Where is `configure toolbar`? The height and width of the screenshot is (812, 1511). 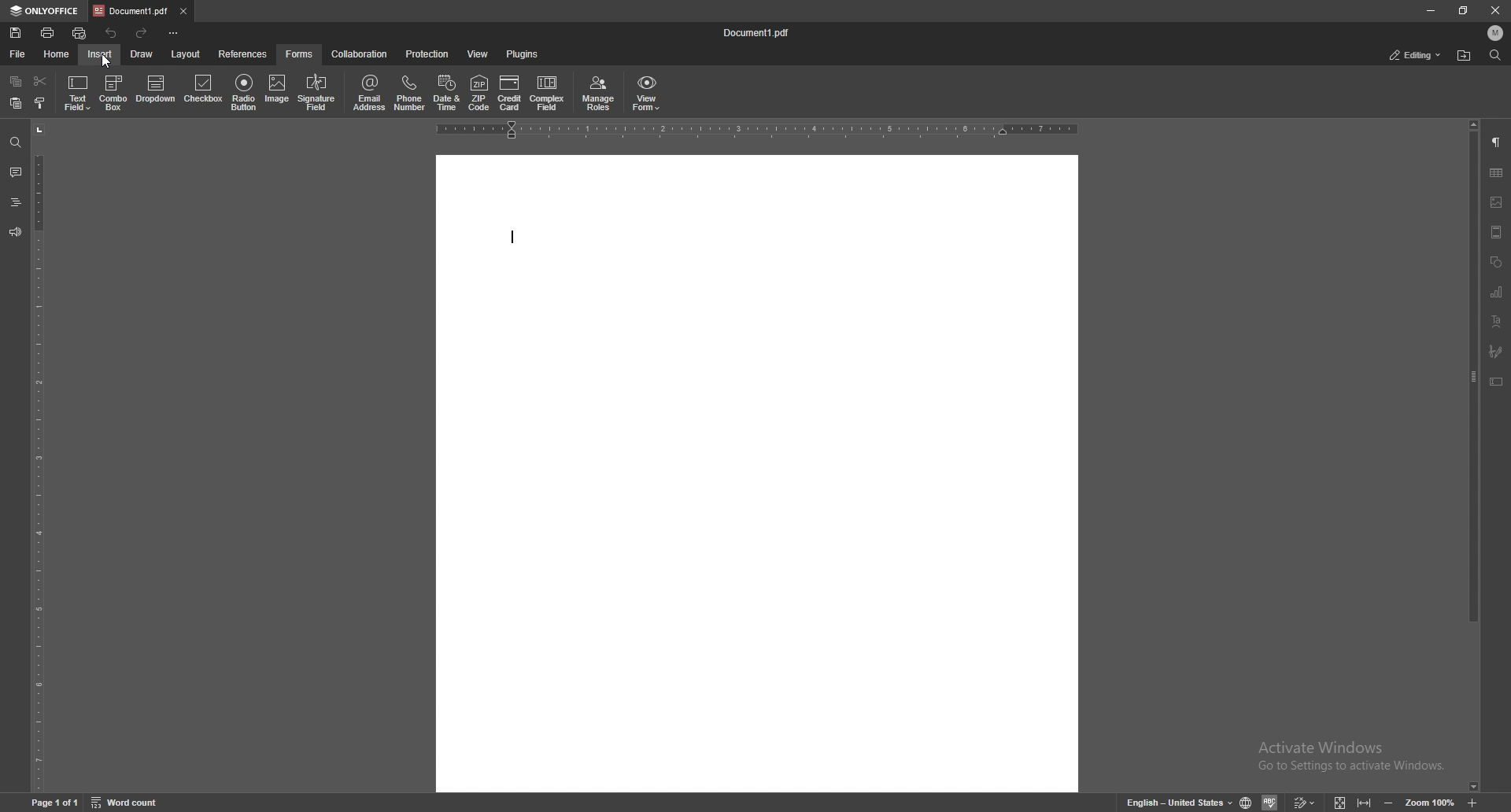 configure toolbar is located at coordinates (175, 34).